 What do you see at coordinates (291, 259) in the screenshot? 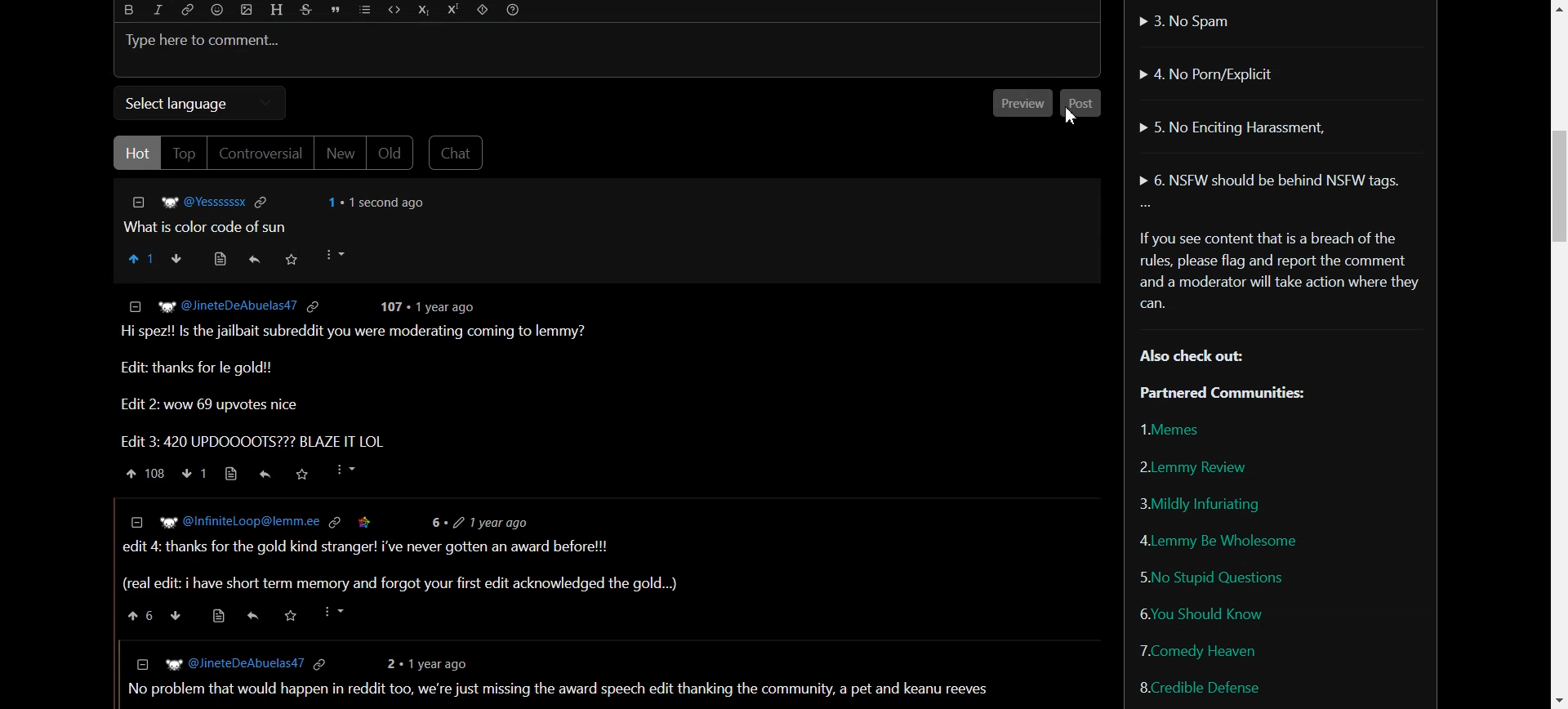
I see `Save` at bounding box center [291, 259].